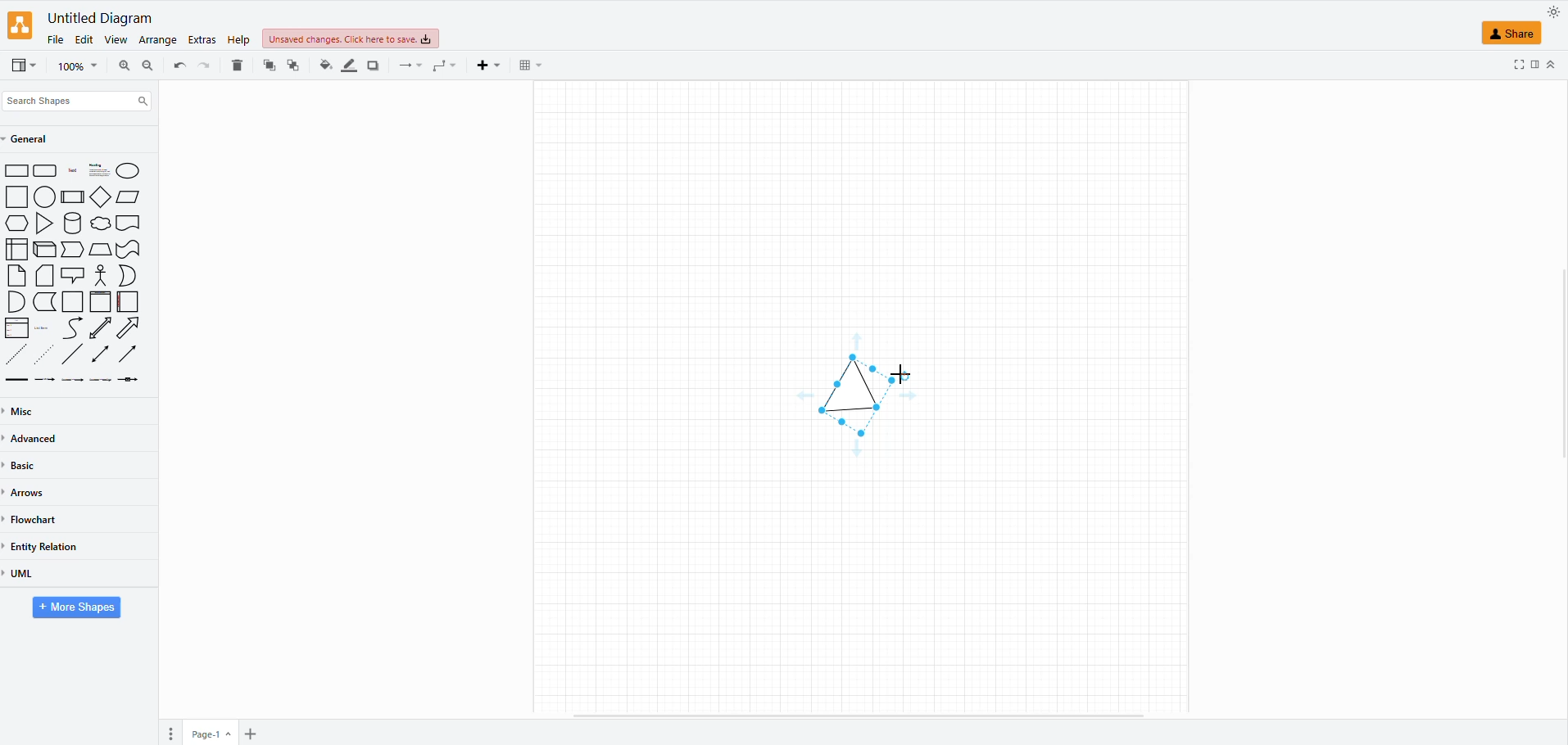  I want to click on Sidebar, so click(129, 302).